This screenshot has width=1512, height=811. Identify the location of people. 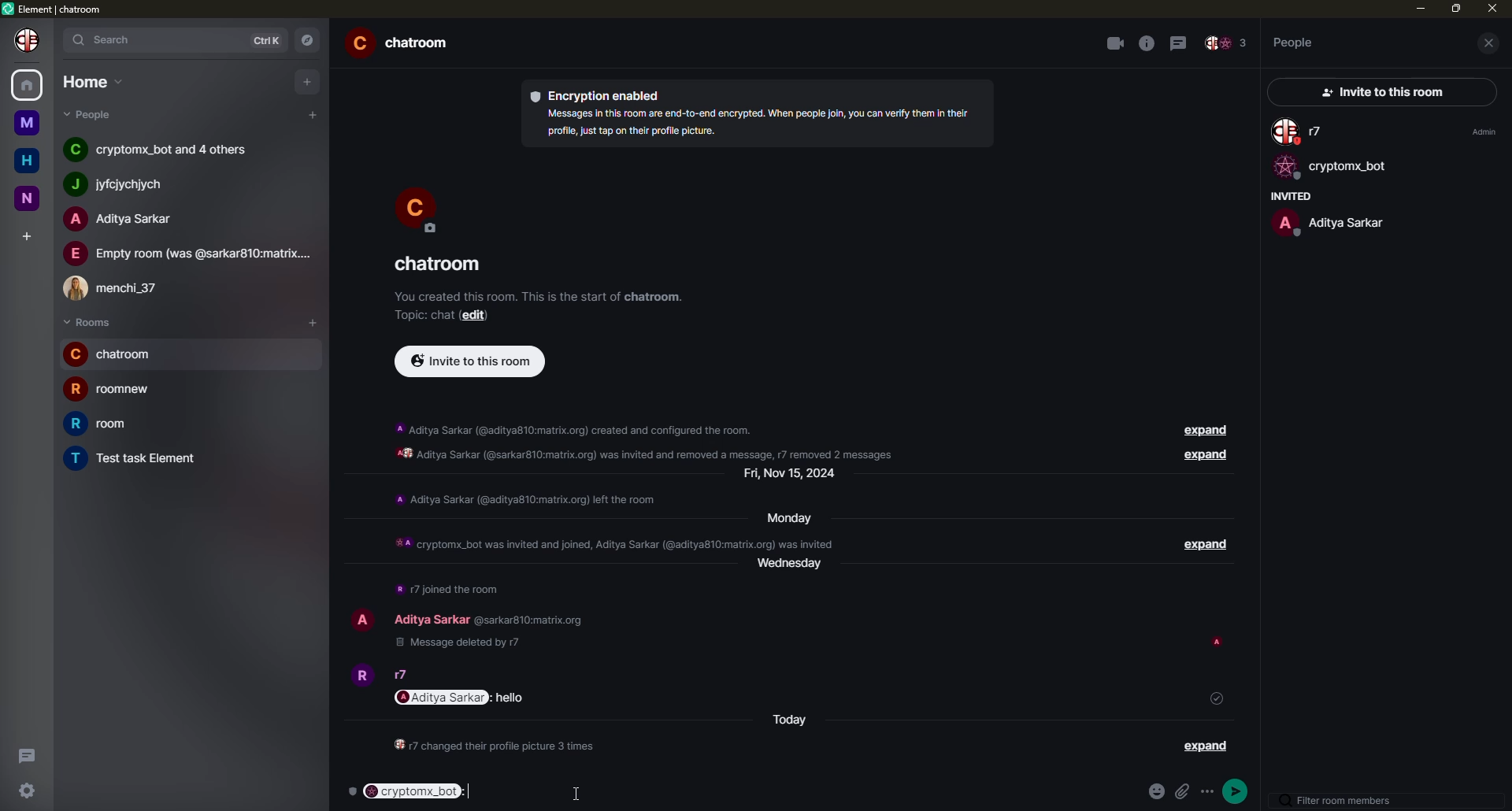
(119, 219).